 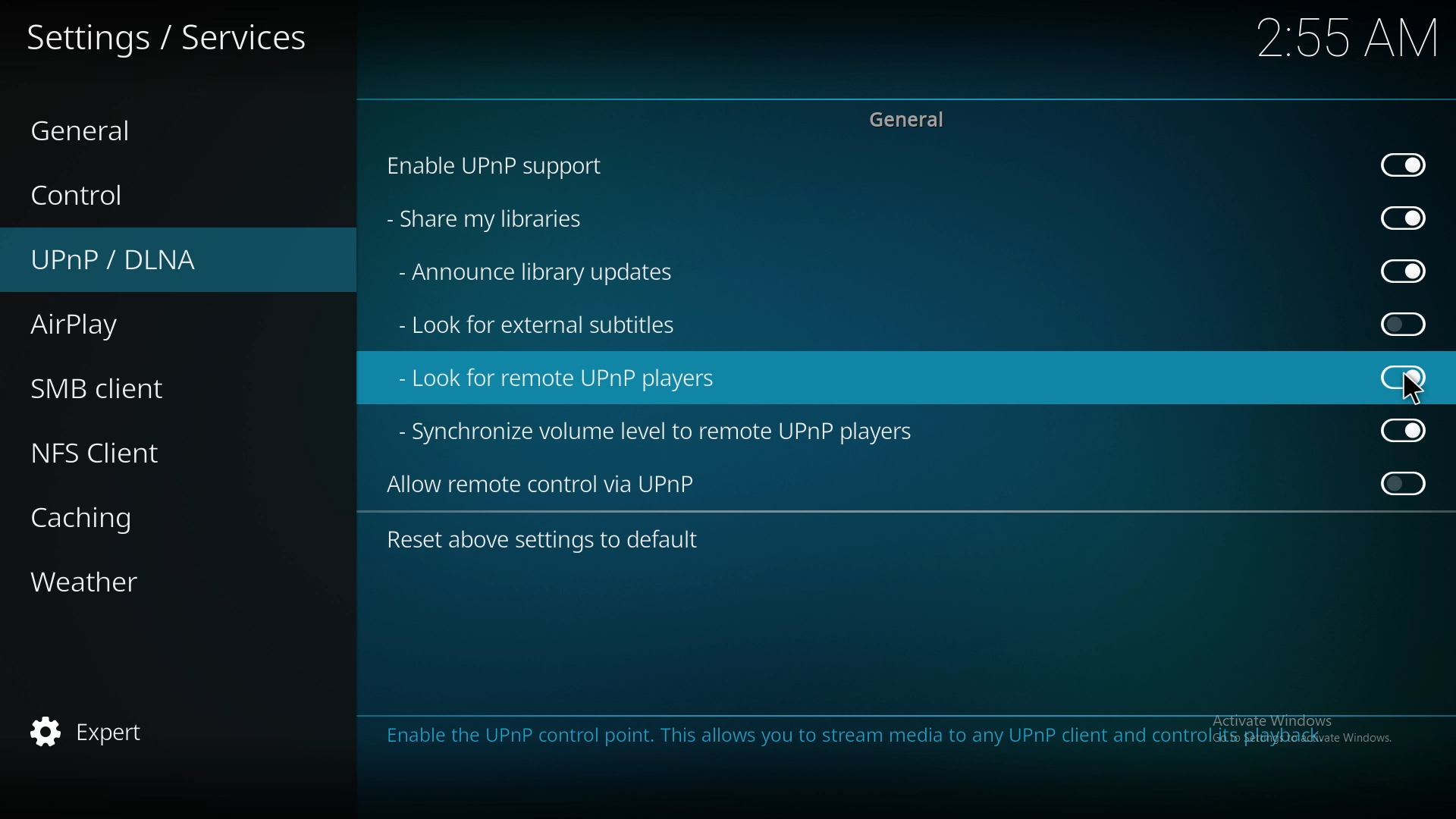 What do you see at coordinates (1404, 483) in the screenshot?
I see `Off` at bounding box center [1404, 483].